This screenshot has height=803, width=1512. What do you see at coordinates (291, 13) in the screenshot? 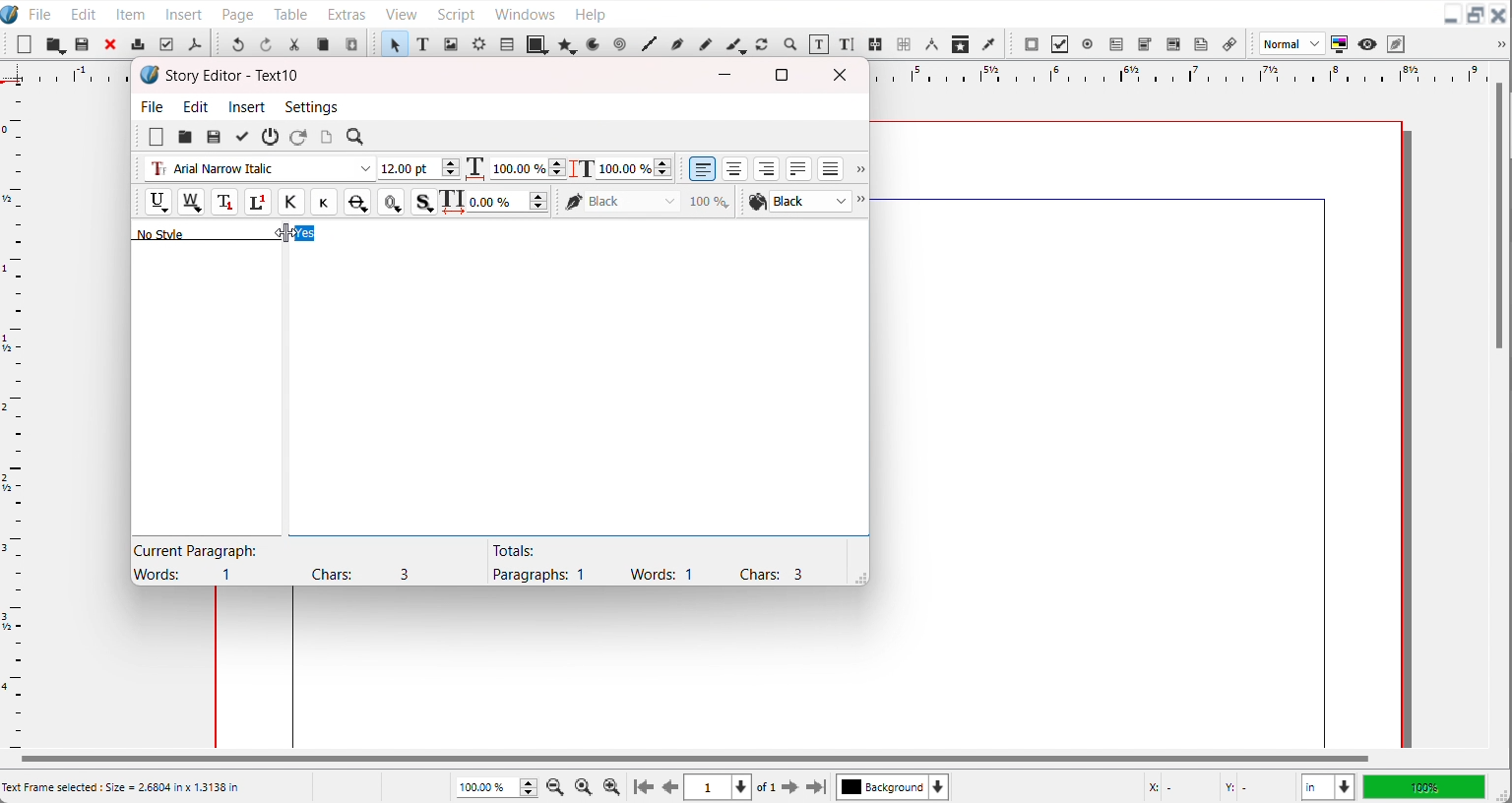
I see `Table` at bounding box center [291, 13].